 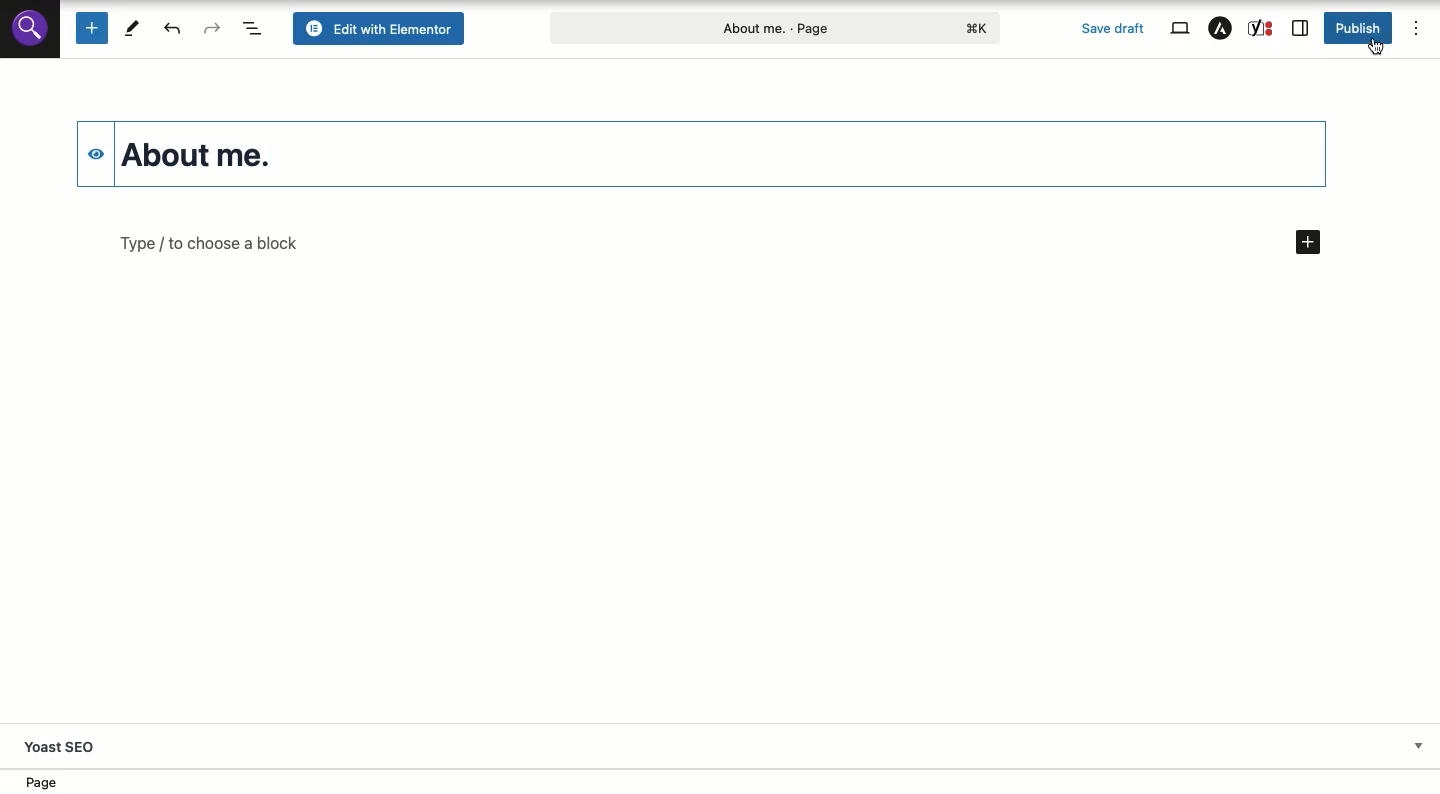 I want to click on Publish, so click(x=1357, y=28).